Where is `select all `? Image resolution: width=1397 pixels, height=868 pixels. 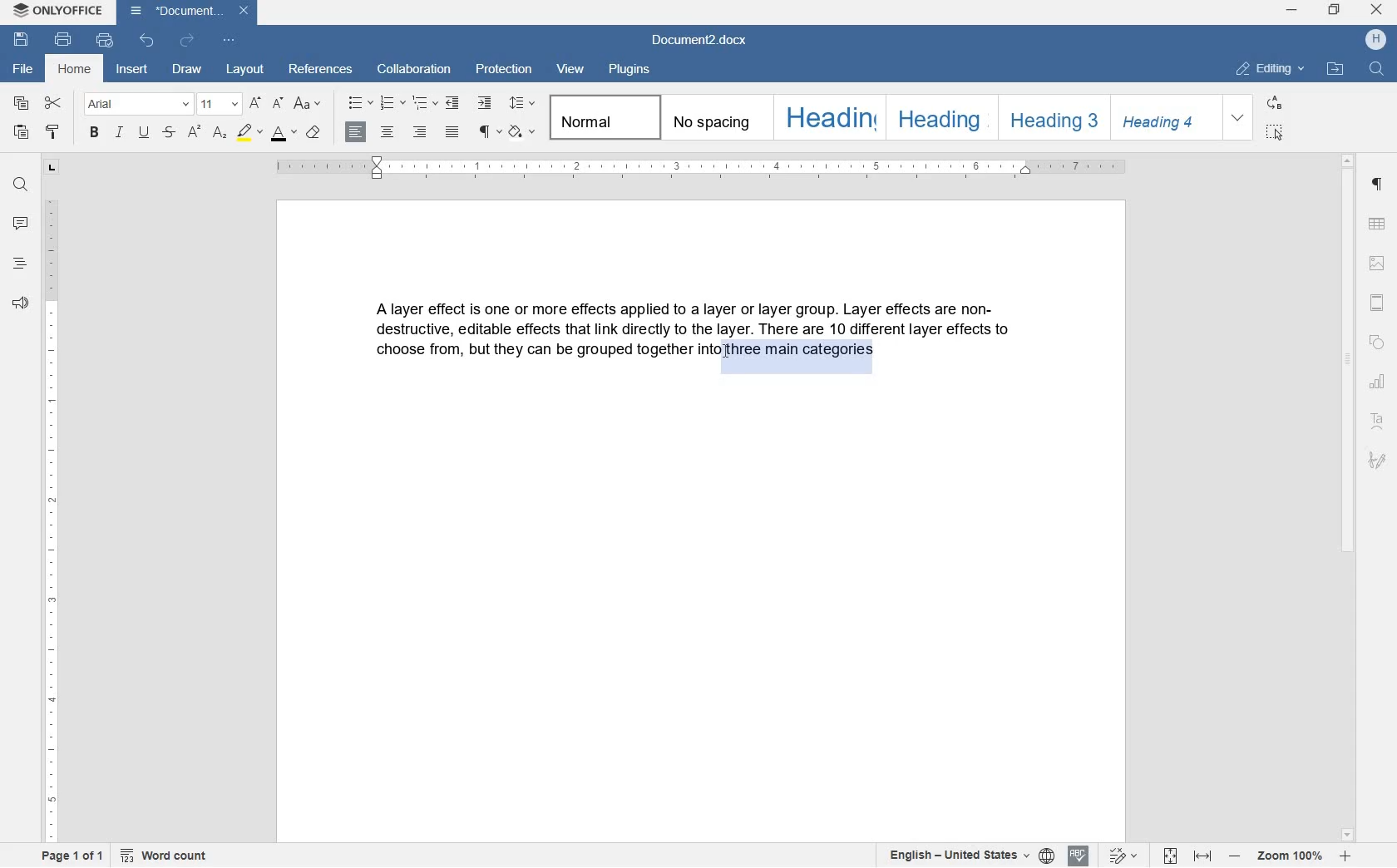 select all  is located at coordinates (1274, 131).